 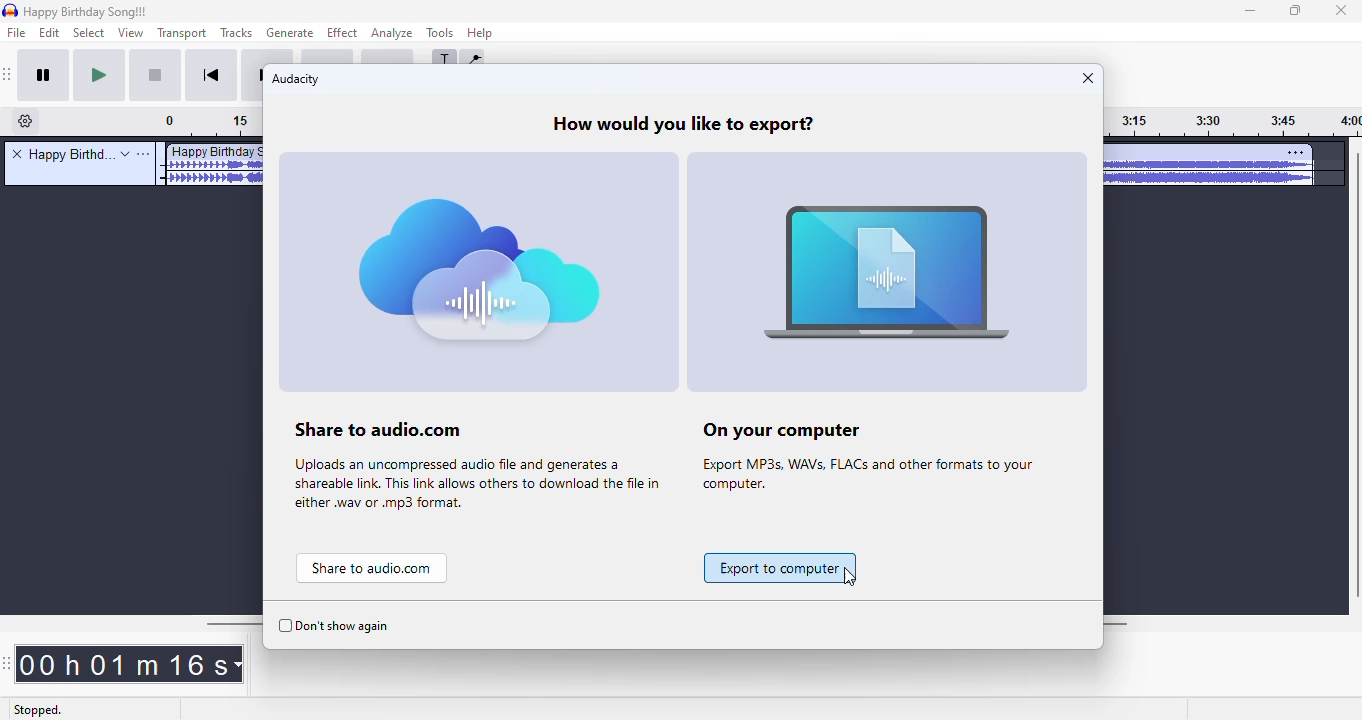 What do you see at coordinates (69, 154) in the screenshot?
I see `title` at bounding box center [69, 154].